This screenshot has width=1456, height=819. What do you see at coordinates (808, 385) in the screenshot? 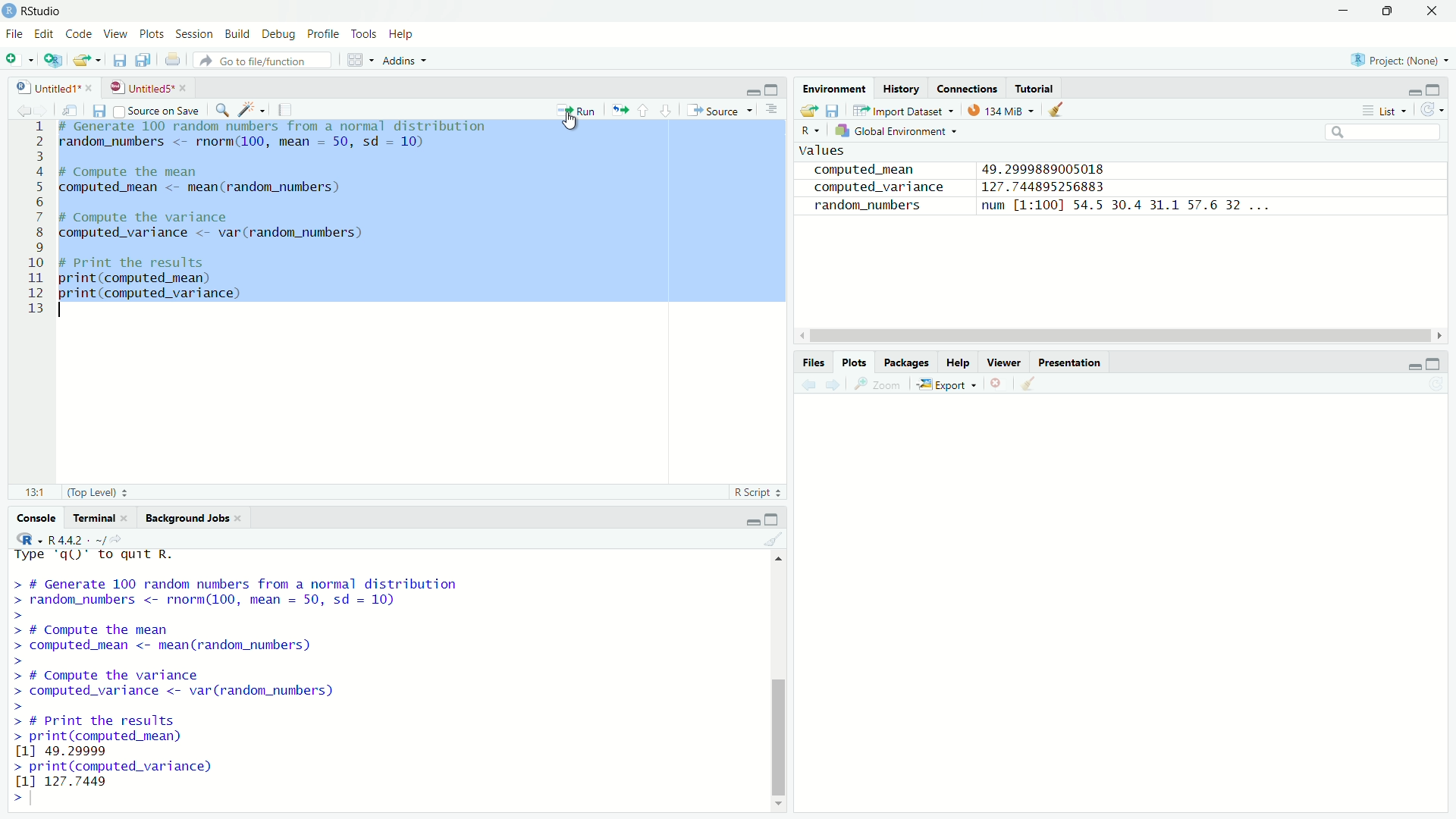
I see `previous plot` at bounding box center [808, 385].